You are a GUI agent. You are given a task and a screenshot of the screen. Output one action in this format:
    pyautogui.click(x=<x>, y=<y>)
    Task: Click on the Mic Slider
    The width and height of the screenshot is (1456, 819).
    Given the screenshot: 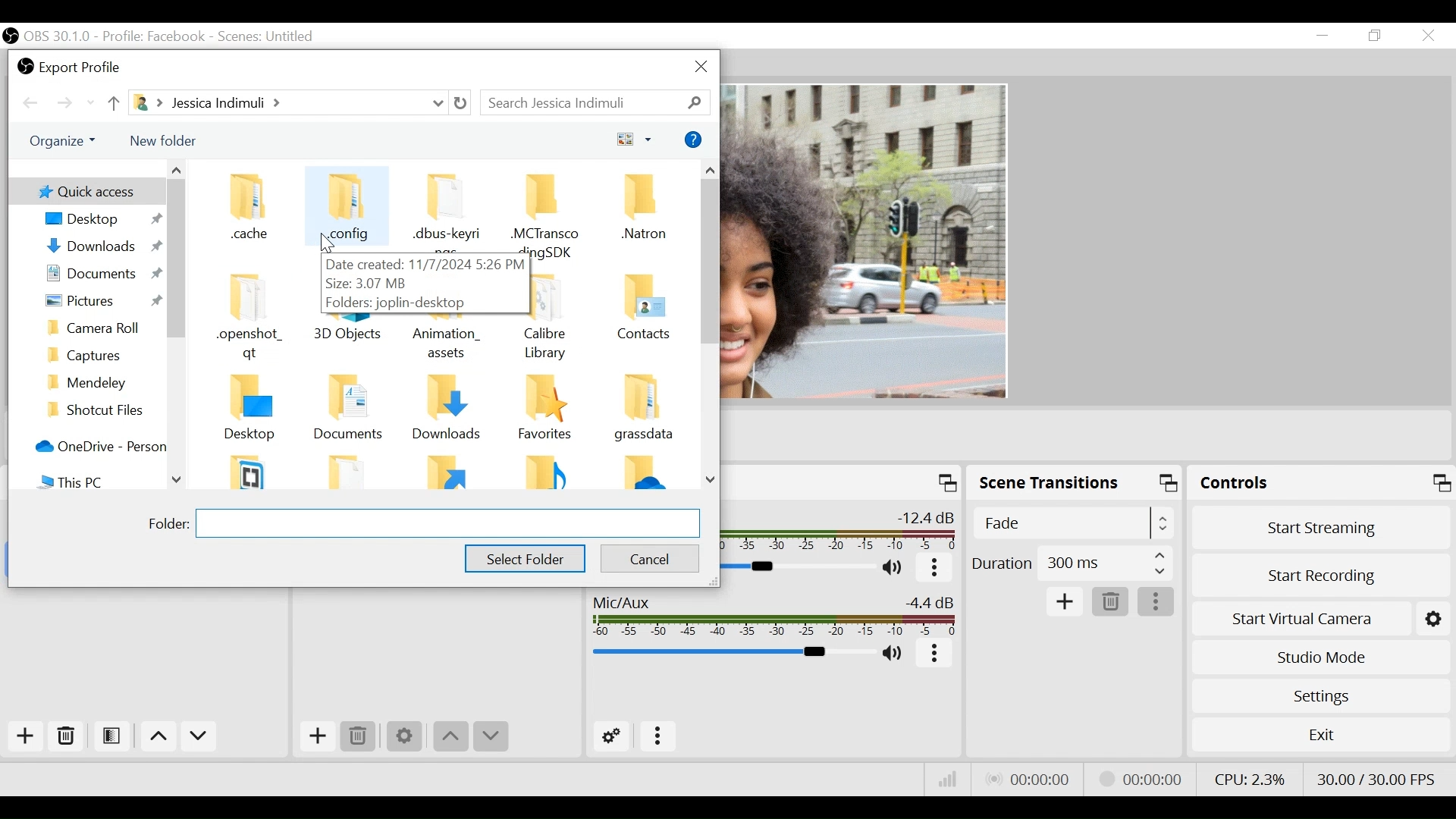 What is the action you would take?
    pyautogui.click(x=730, y=653)
    